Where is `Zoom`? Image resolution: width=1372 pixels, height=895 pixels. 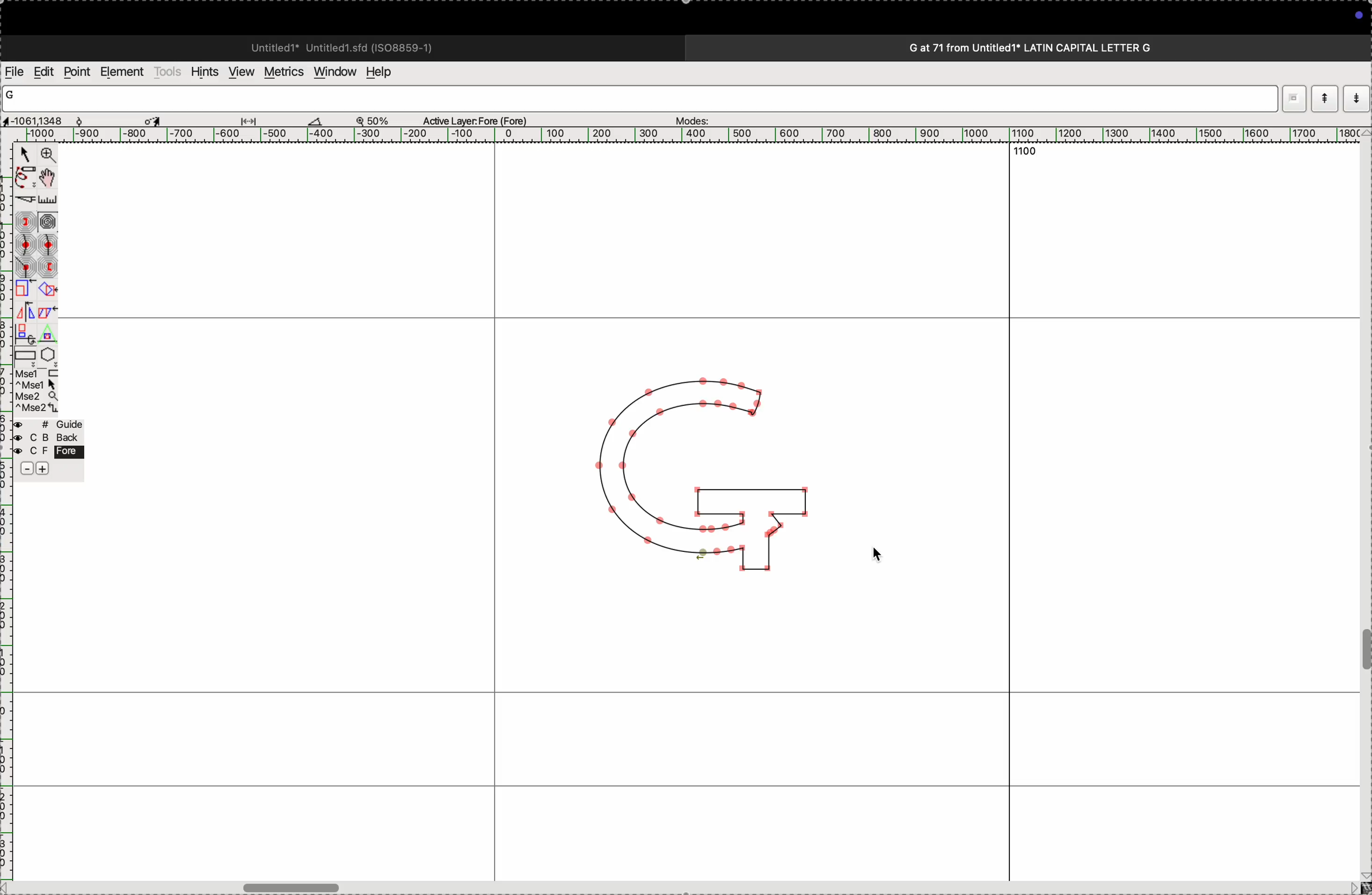
Zoom is located at coordinates (47, 155).